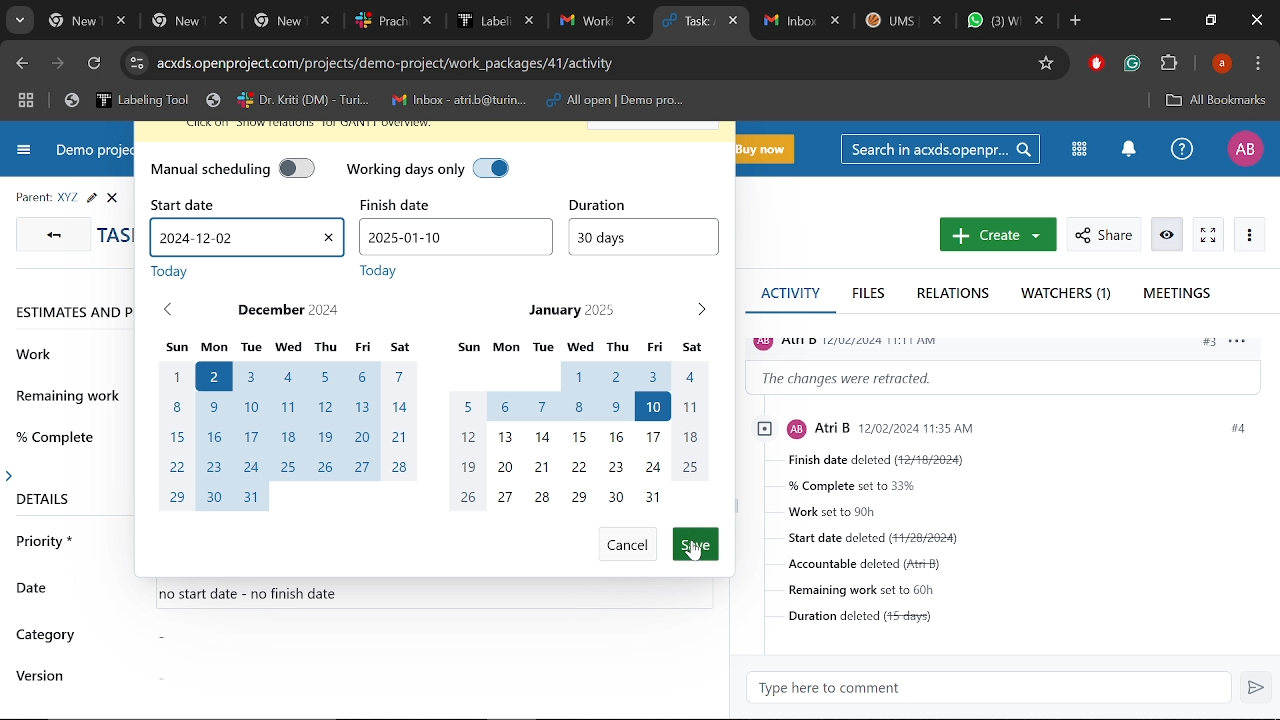 This screenshot has width=1280, height=720. Describe the element at coordinates (217, 377) in the screenshot. I see `start date` at that location.